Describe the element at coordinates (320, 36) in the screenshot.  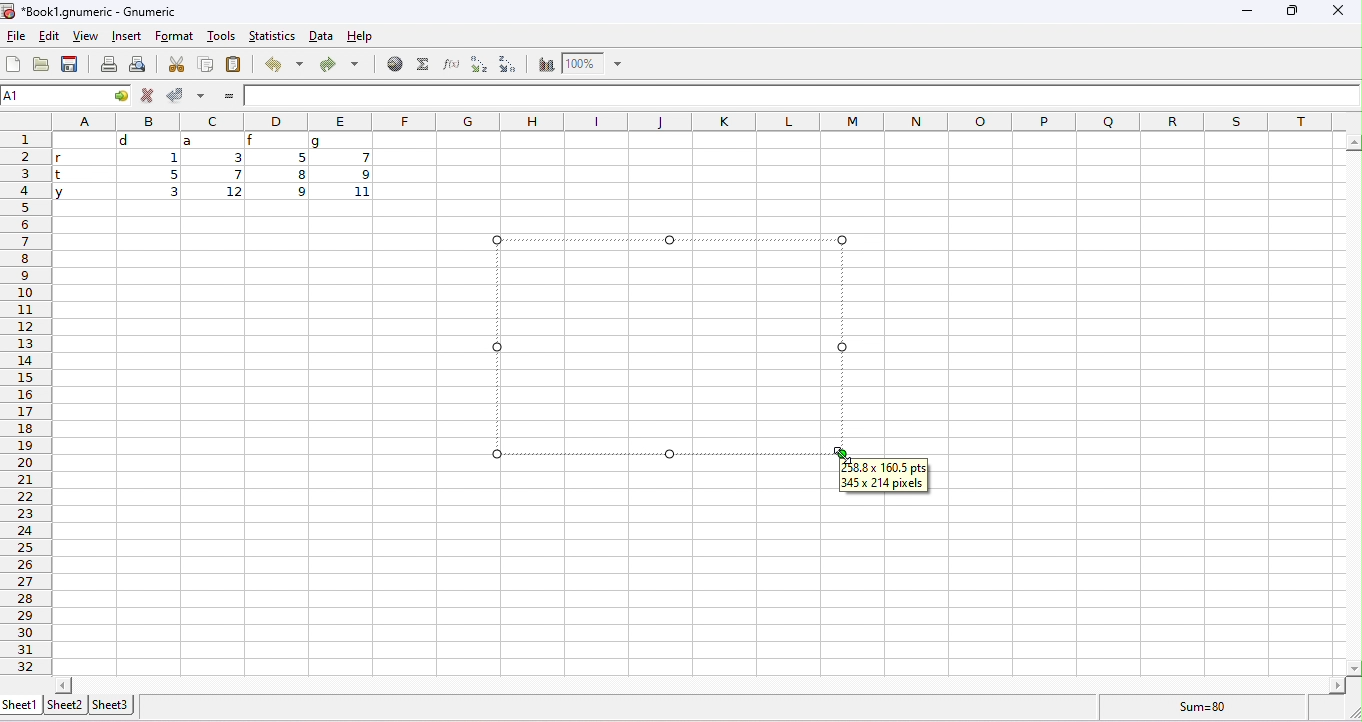
I see `data` at that location.